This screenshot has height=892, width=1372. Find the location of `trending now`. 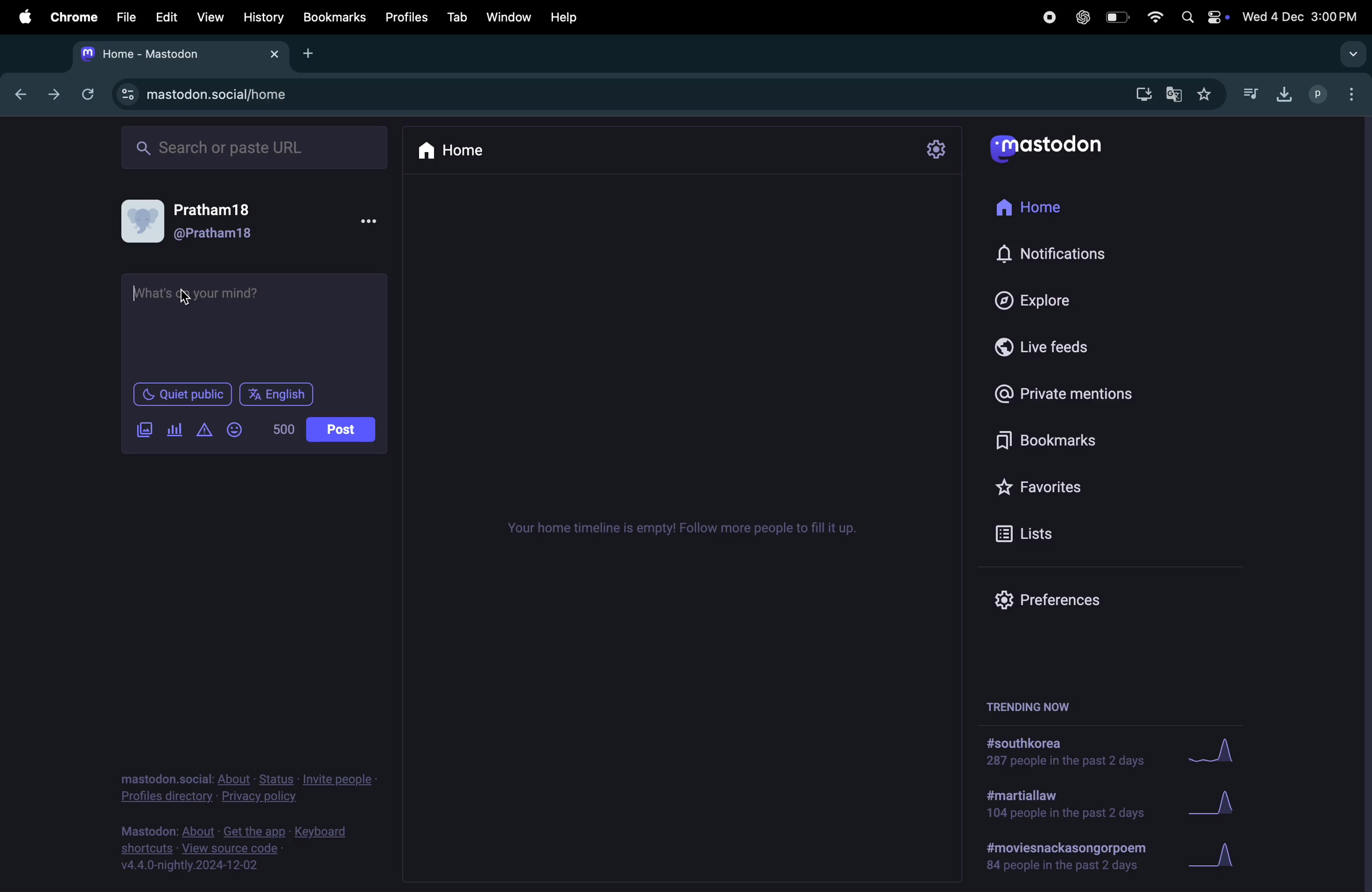

trending now is located at coordinates (1023, 707).